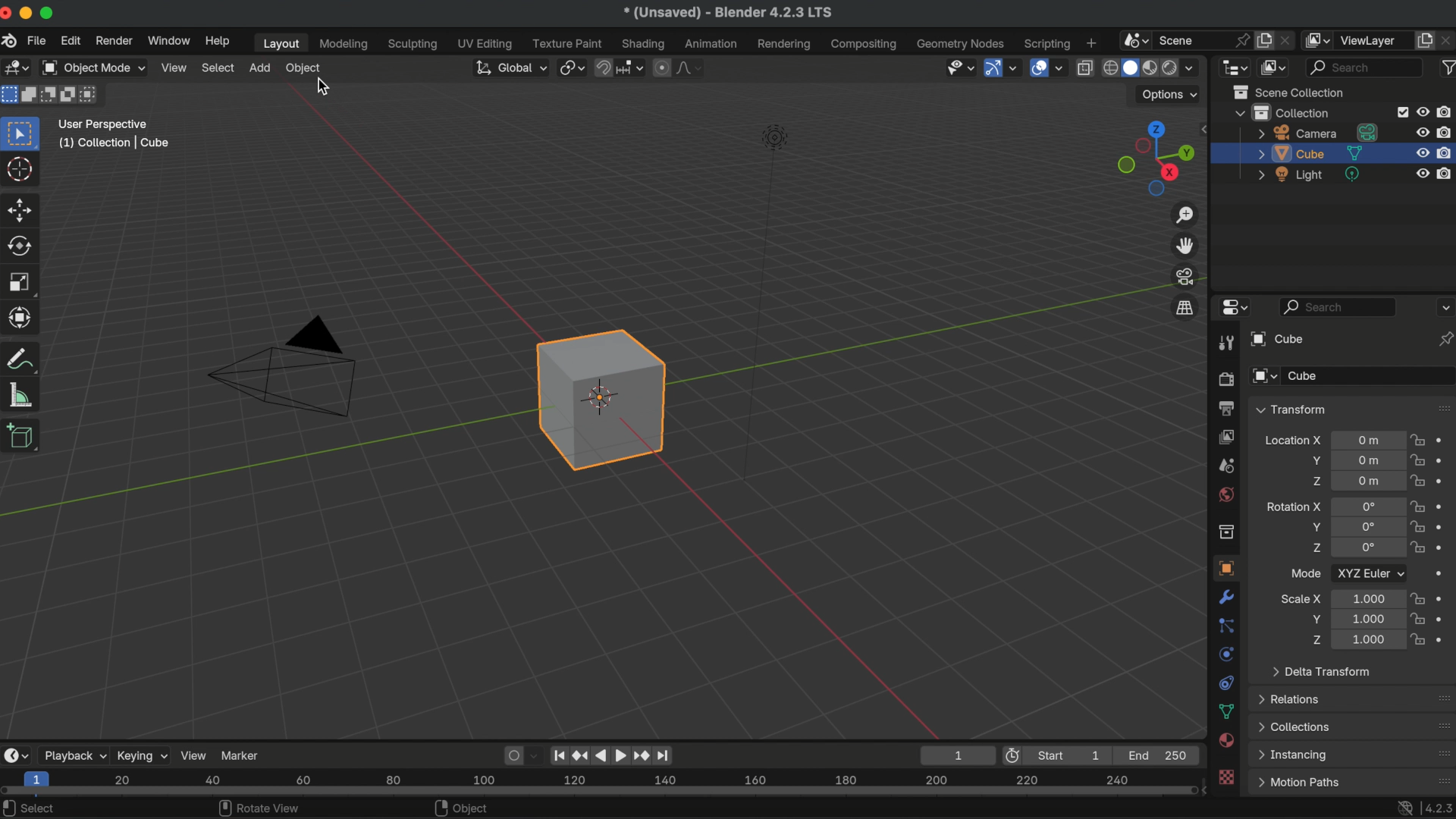  Describe the element at coordinates (1225, 380) in the screenshot. I see `render` at that location.